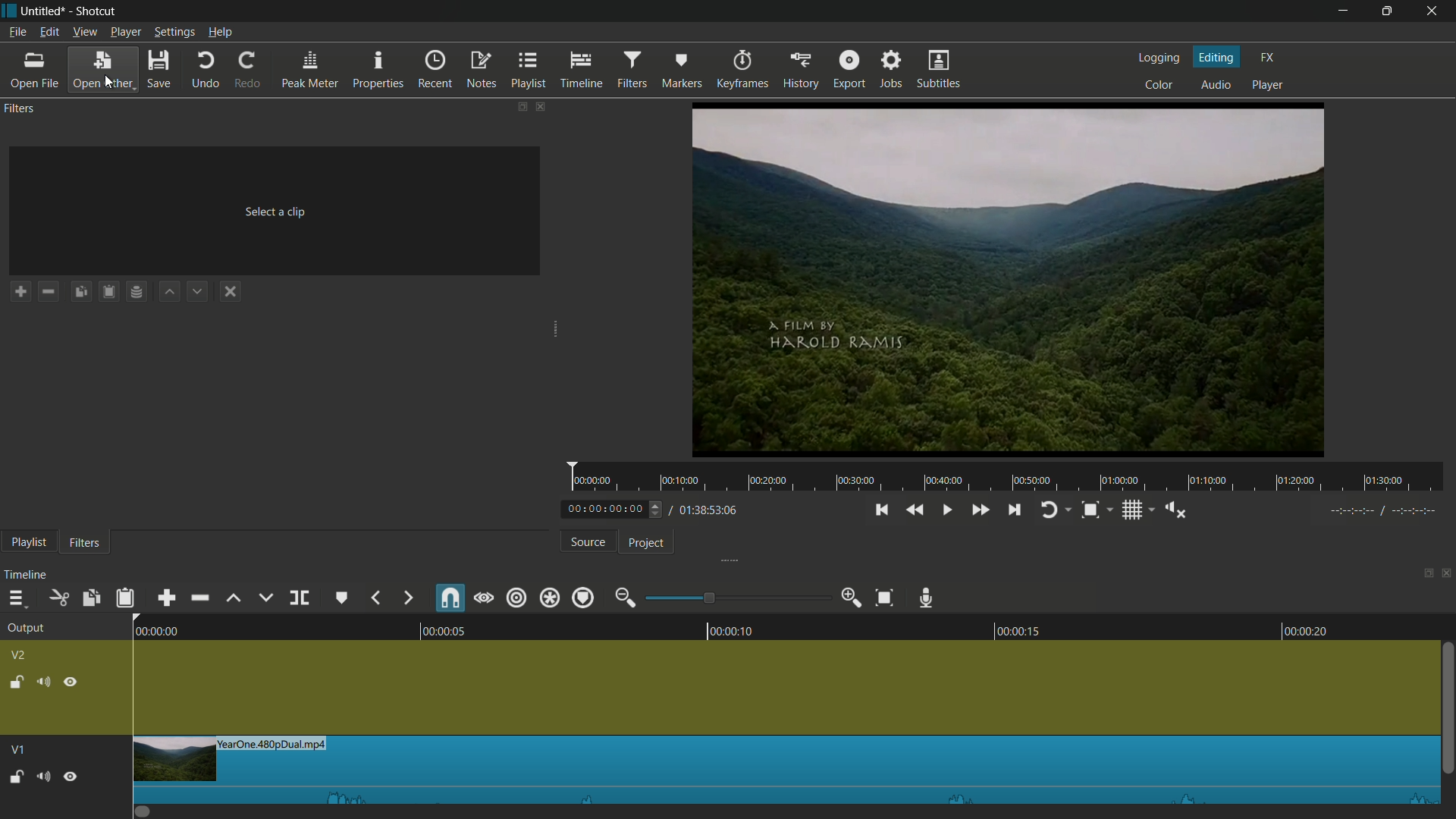 The height and width of the screenshot is (819, 1456). Describe the element at coordinates (1216, 84) in the screenshot. I see `audio` at that location.